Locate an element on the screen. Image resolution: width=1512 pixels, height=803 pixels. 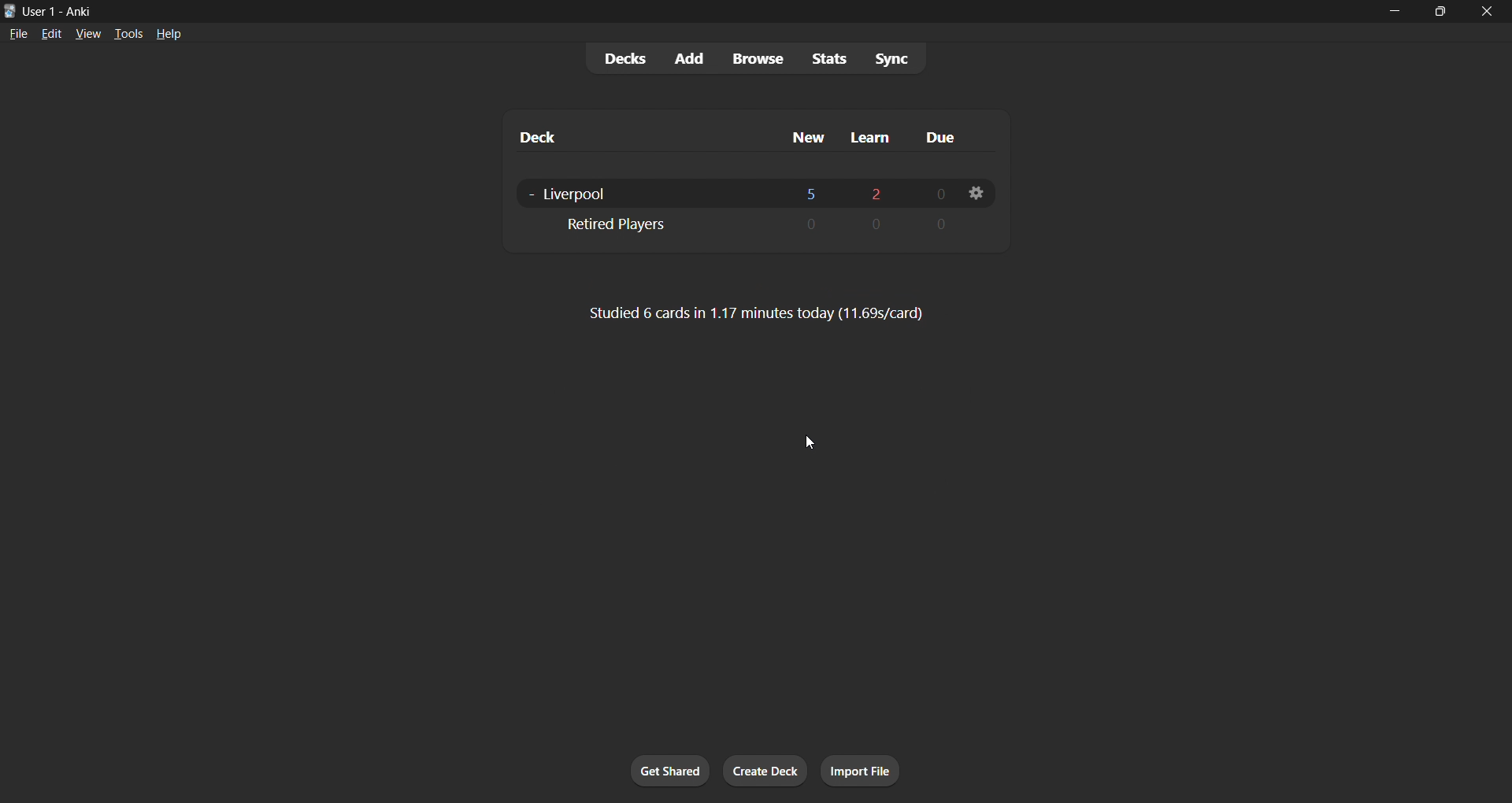
minimize is located at coordinates (1385, 13).